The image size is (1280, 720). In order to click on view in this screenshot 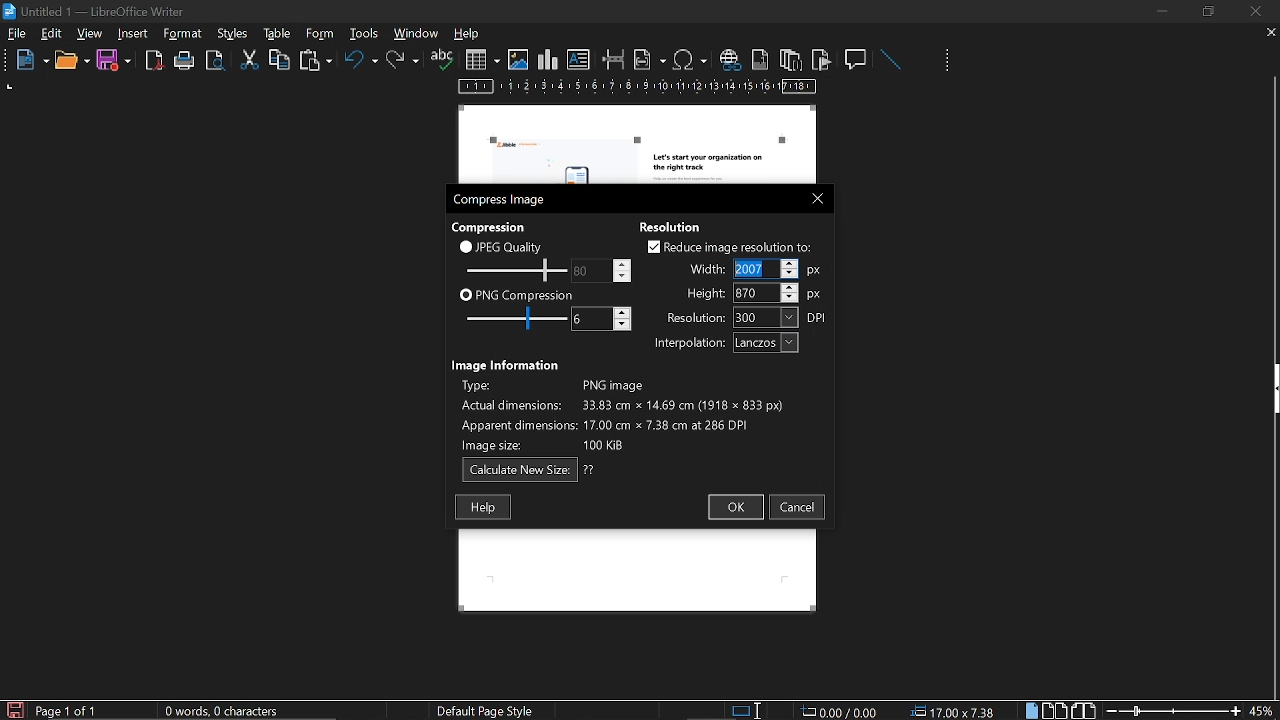, I will do `click(91, 33)`.